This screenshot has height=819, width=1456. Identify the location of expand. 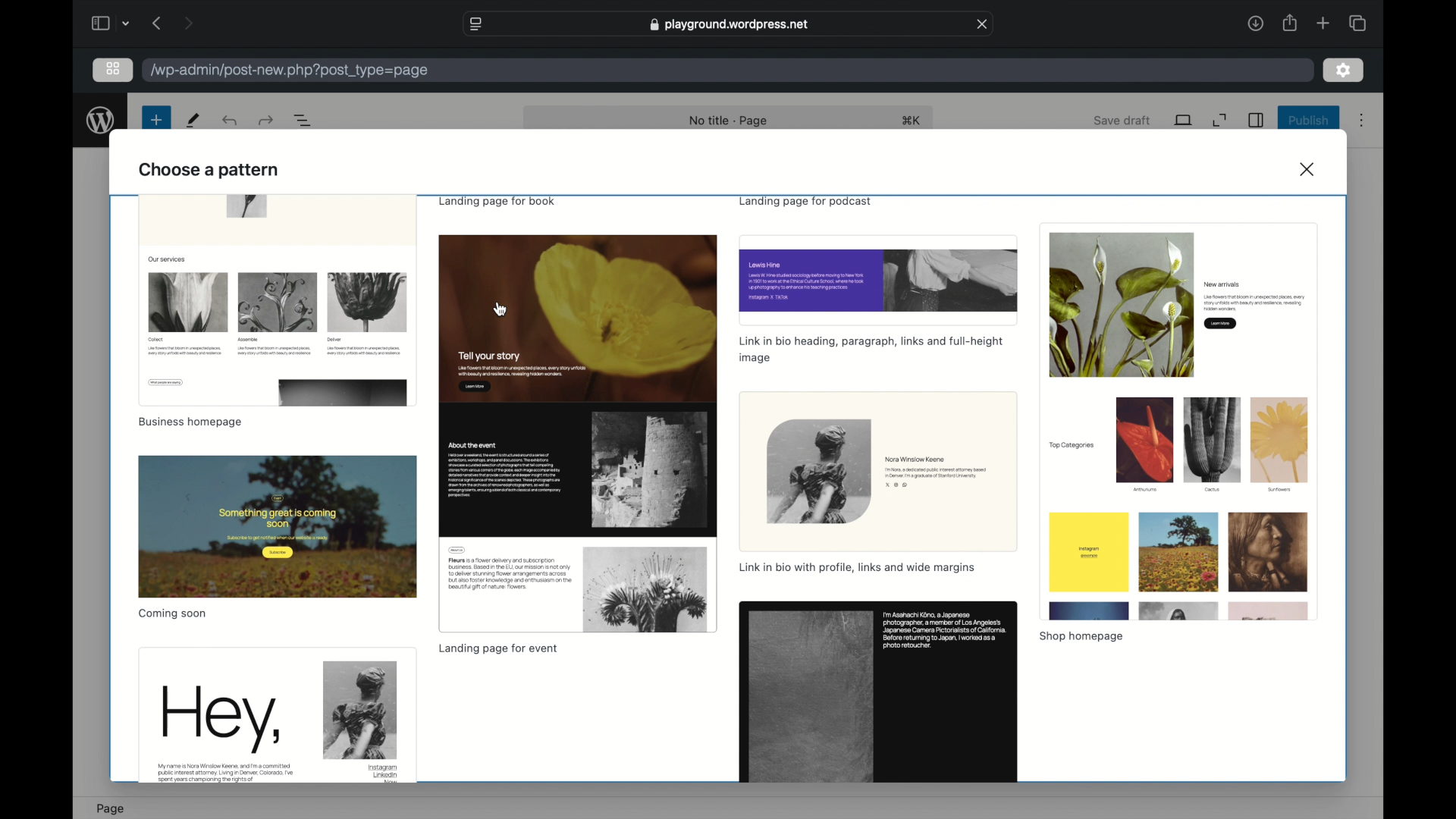
(1219, 121).